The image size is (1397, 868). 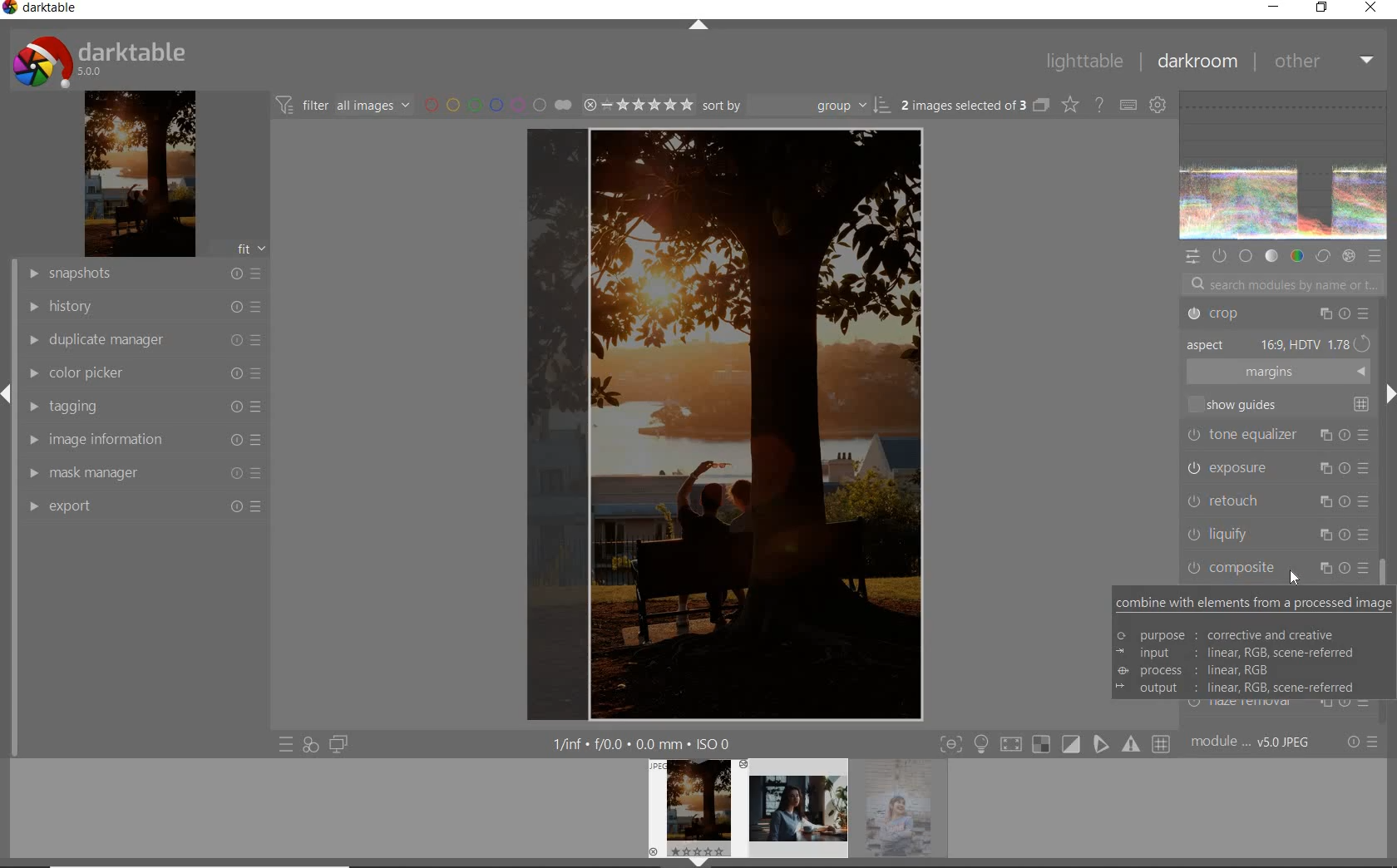 What do you see at coordinates (1296, 257) in the screenshot?
I see `color` at bounding box center [1296, 257].